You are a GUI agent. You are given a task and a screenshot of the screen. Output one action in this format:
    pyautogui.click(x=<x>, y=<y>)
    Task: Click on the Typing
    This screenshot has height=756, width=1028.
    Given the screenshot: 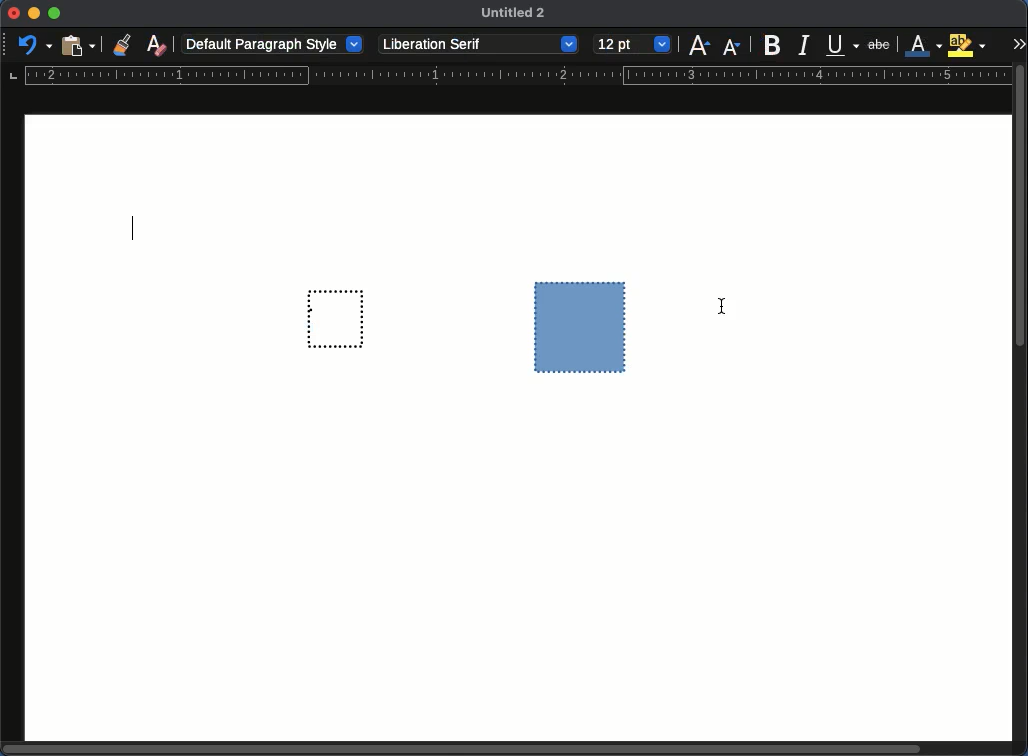 What is the action you would take?
    pyautogui.click(x=130, y=228)
    